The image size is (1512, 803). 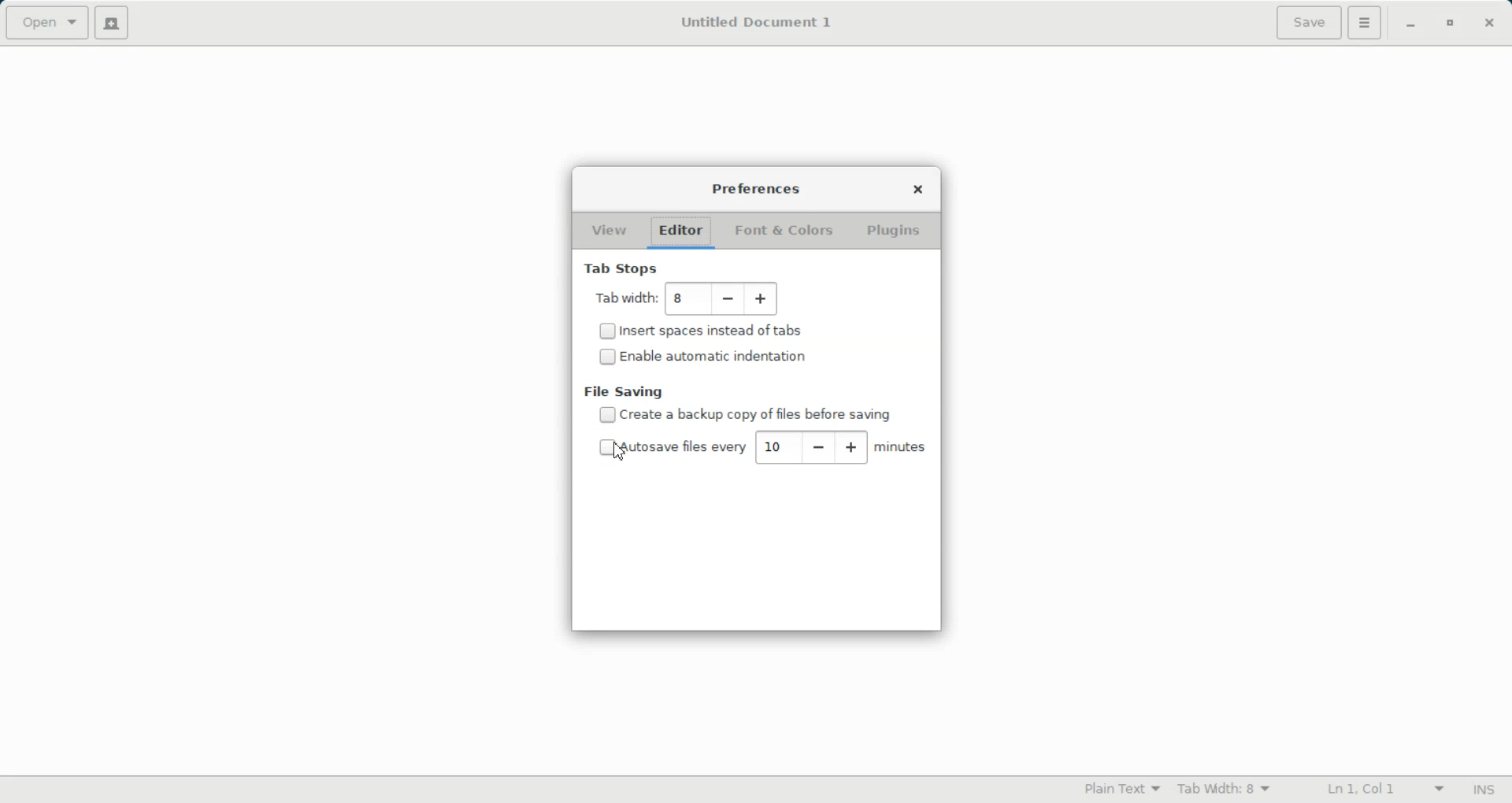 I want to click on Increase, so click(x=852, y=447).